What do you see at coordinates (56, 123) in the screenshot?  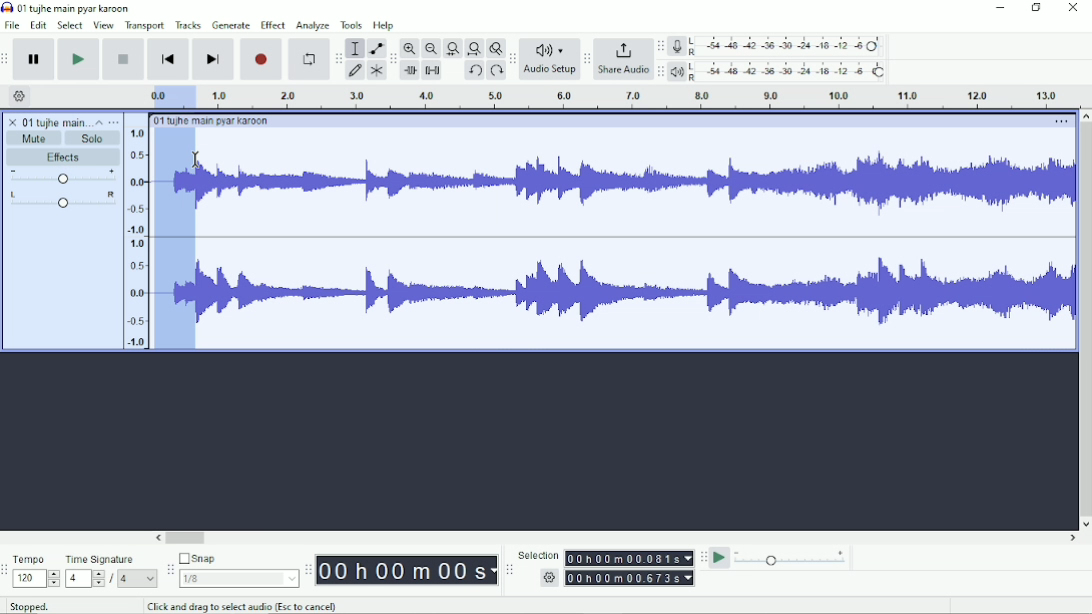 I see `01 tujhe main` at bounding box center [56, 123].